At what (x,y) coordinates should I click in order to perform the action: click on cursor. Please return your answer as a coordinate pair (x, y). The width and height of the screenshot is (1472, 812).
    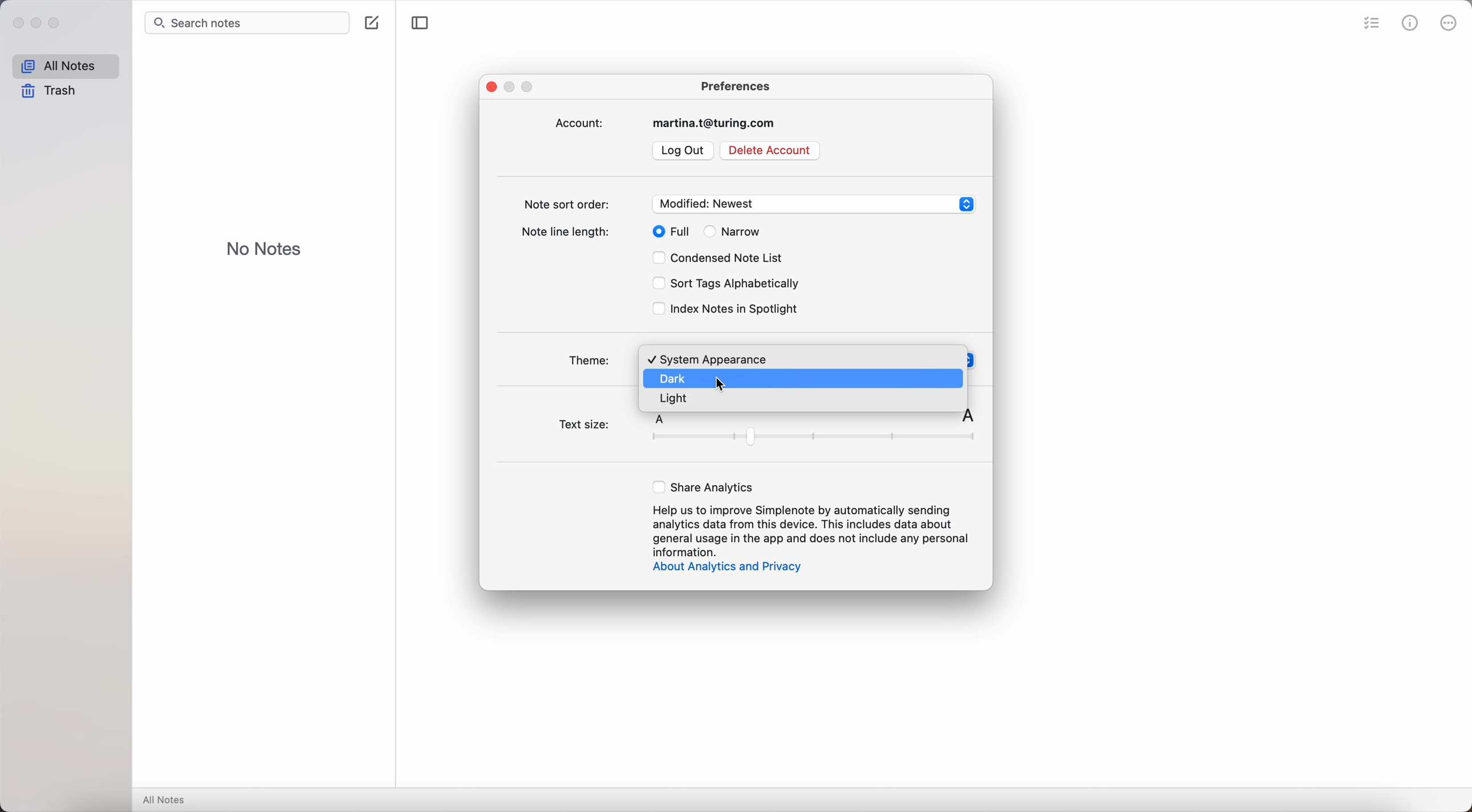
    Looking at the image, I should click on (722, 386).